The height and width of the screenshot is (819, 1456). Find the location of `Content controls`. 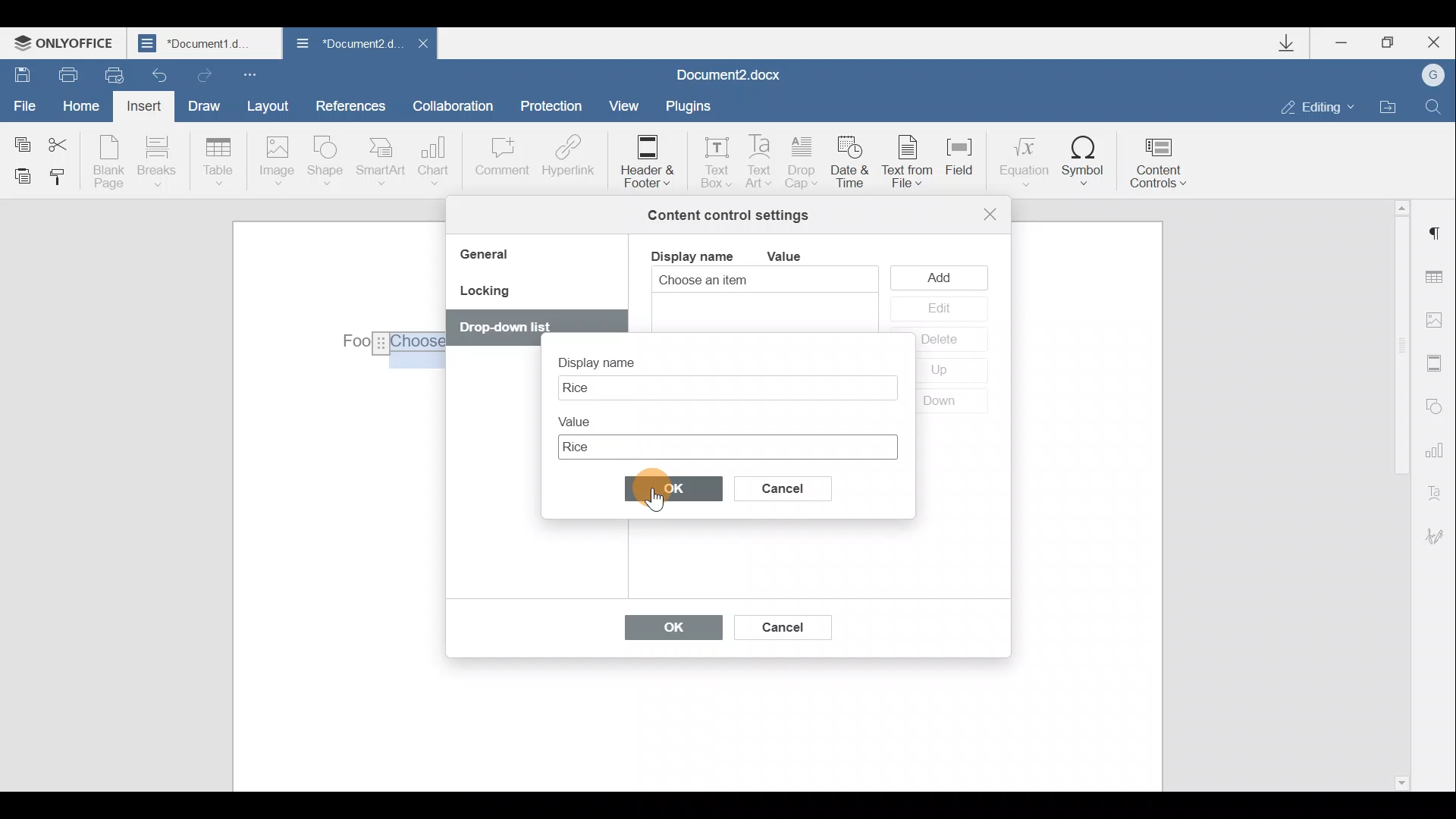

Content controls is located at coordinates (1164, 158).